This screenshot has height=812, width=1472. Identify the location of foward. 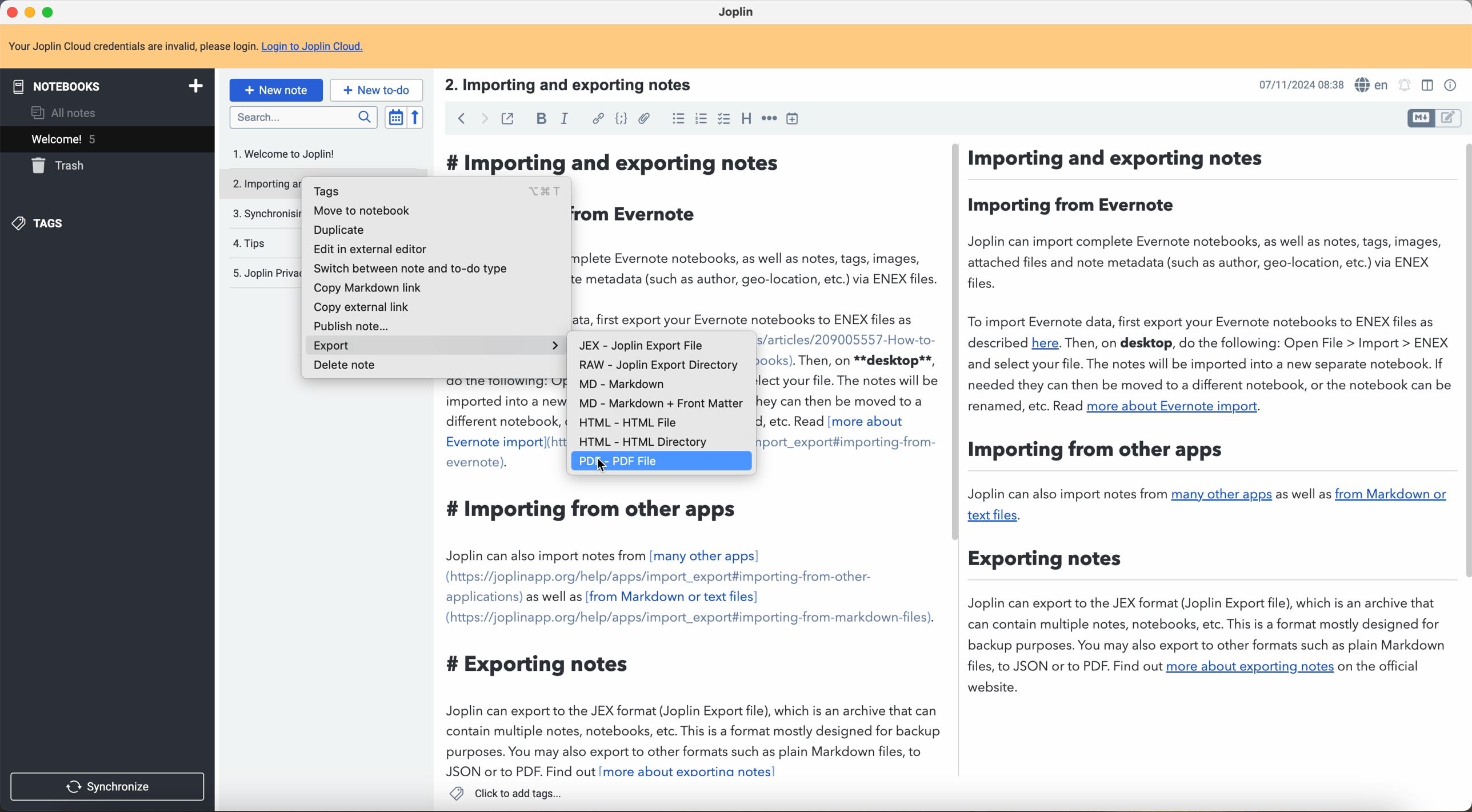
(481, 119).